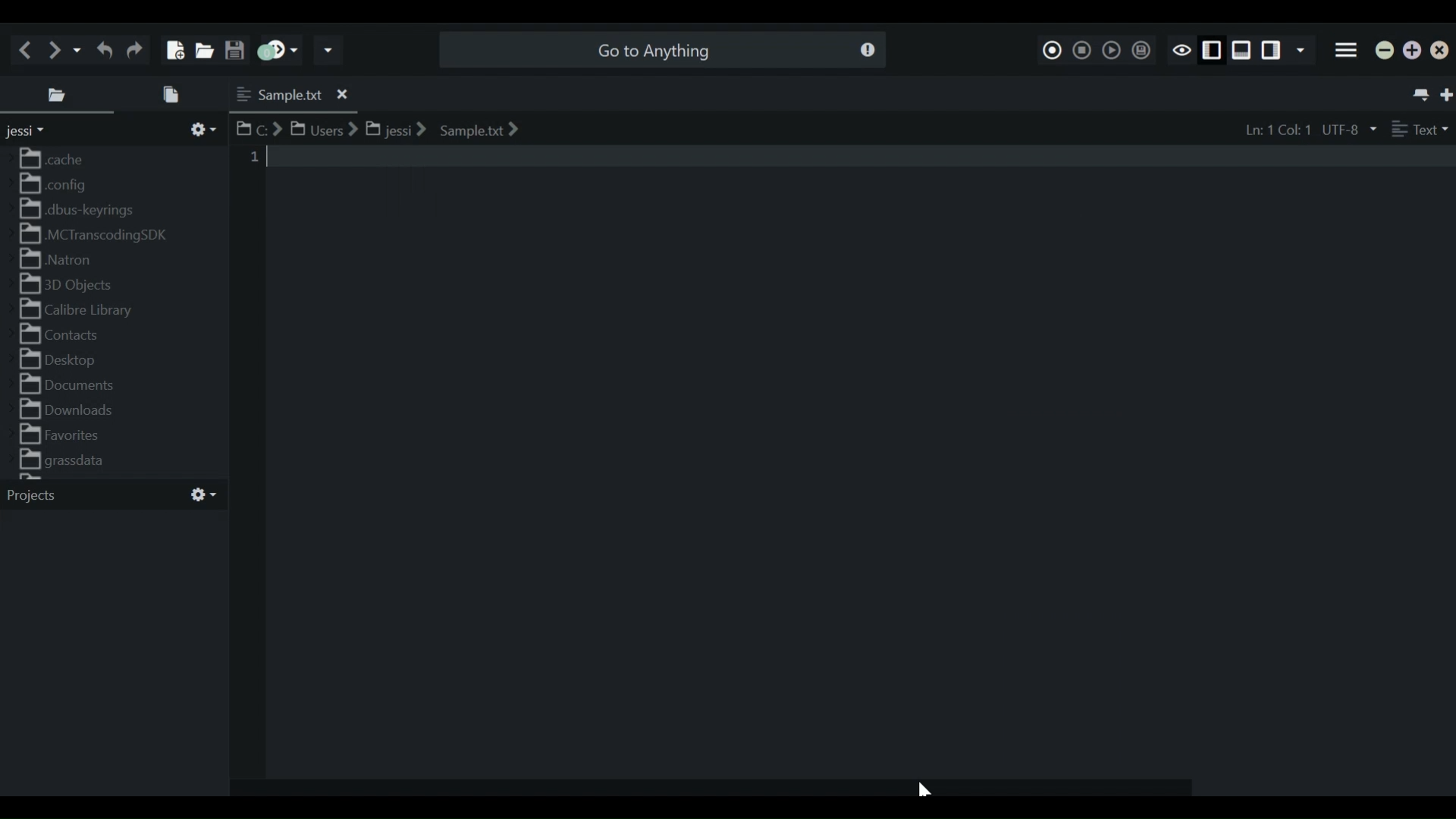 The height and width of the screenshot is (819, 1456). What do you see at coordinates (378, 126) in the screenshot?
I see `Show in location` at bounding box center [378, 126].